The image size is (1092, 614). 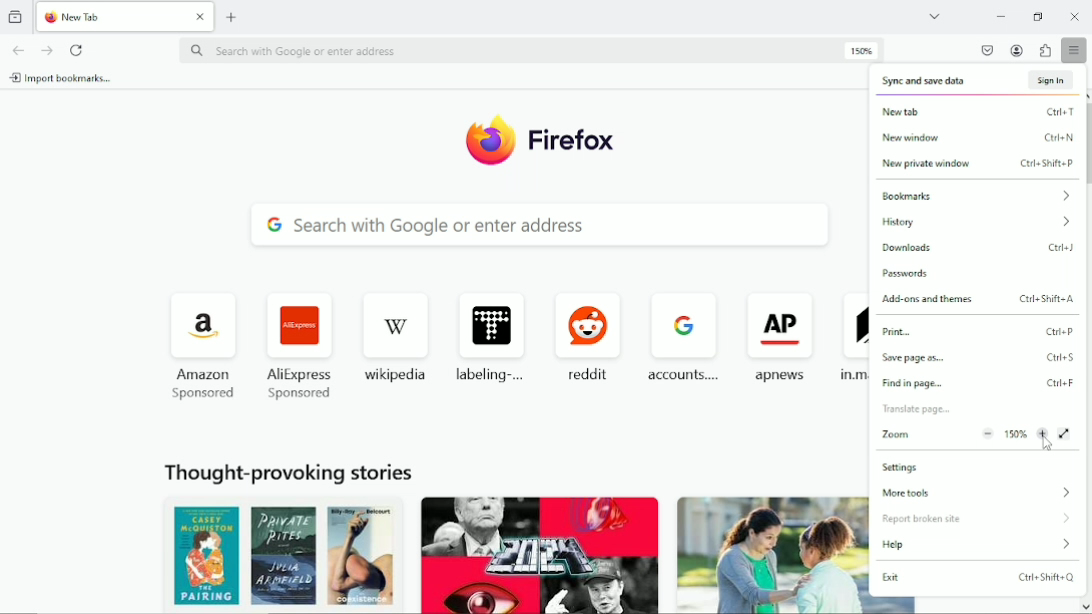 I want to click on Restore down, so click(x=1038, y=16).